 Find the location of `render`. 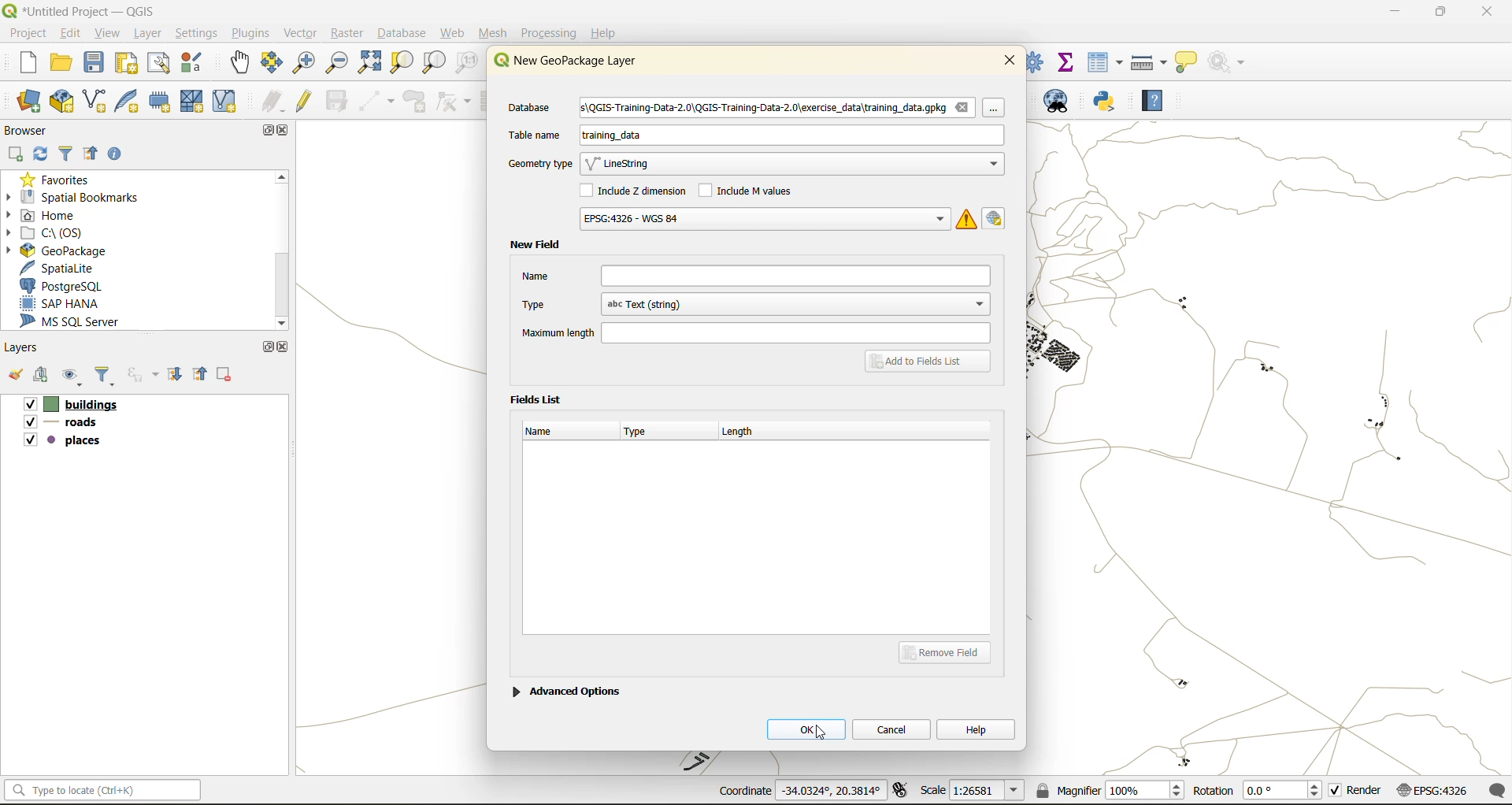

render is located at coordinates (1357, 793).